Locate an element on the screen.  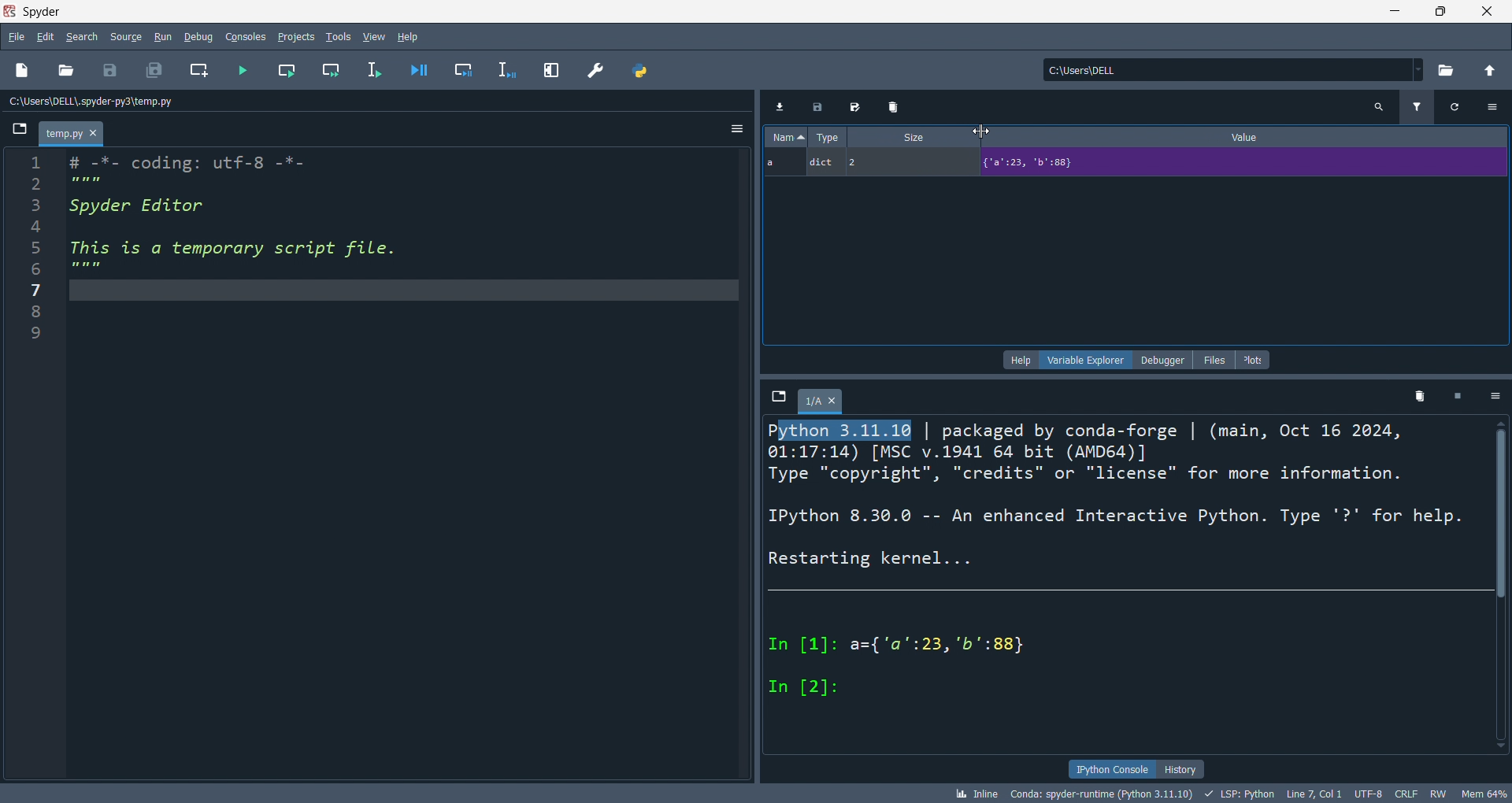
data is located at coordinates (1139, 165).